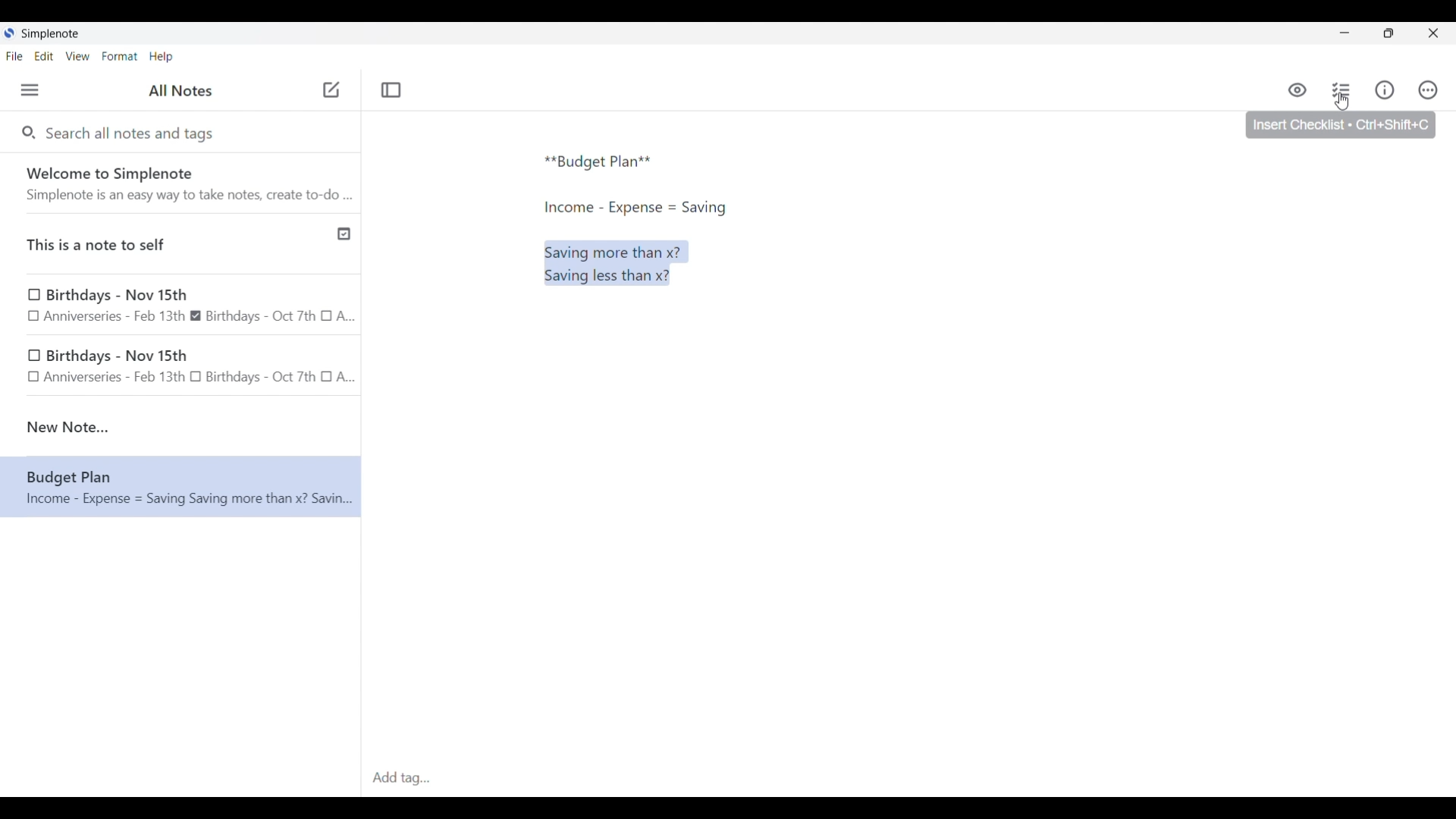 The height and width of the screenshot is (819, 1456). What do you see at coordinates (52, 34) in the screenshot?
I see `Software name` at bounding box center [52, 34].